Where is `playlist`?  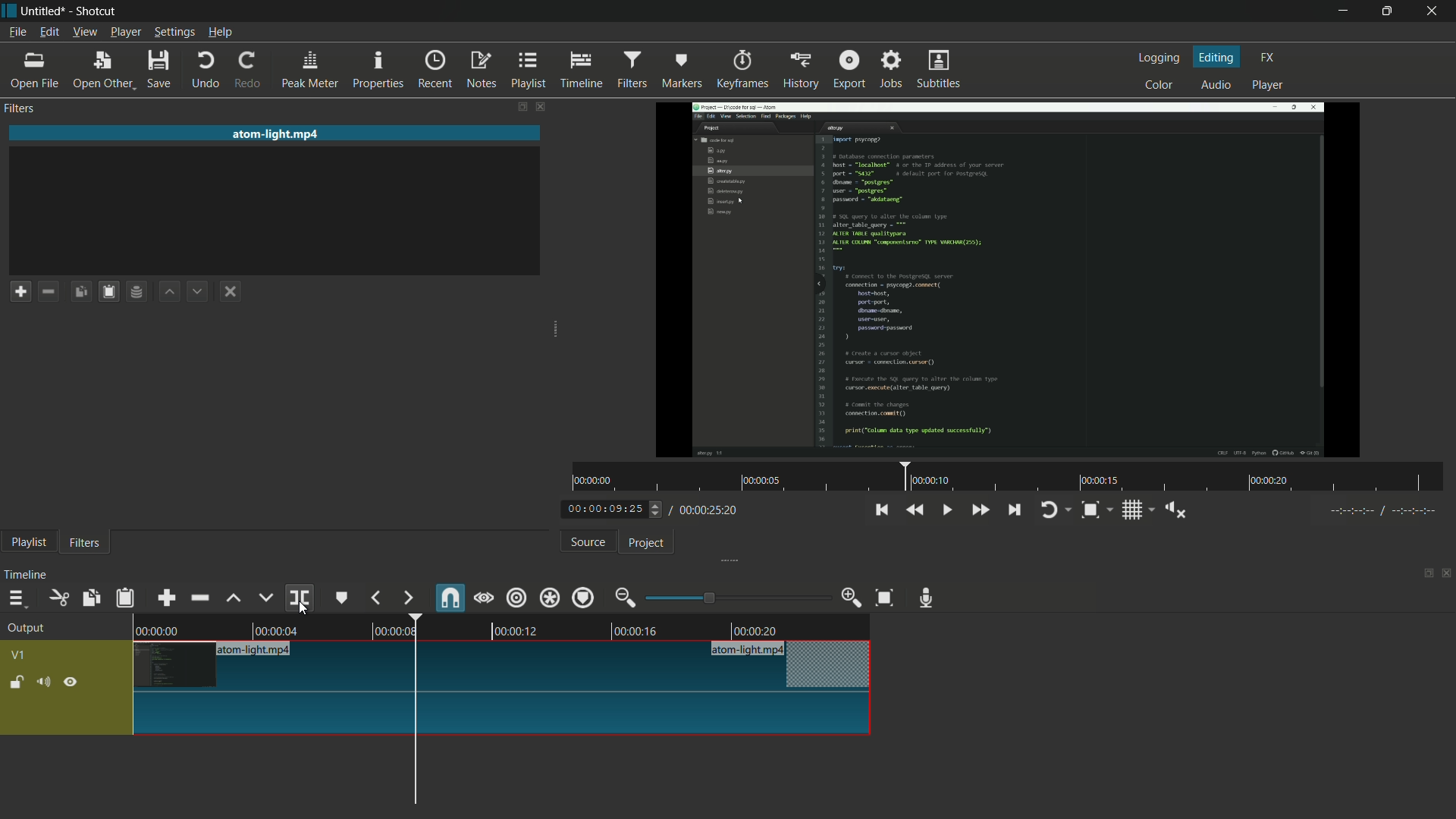
playlist is located at coordinates (28, 544).